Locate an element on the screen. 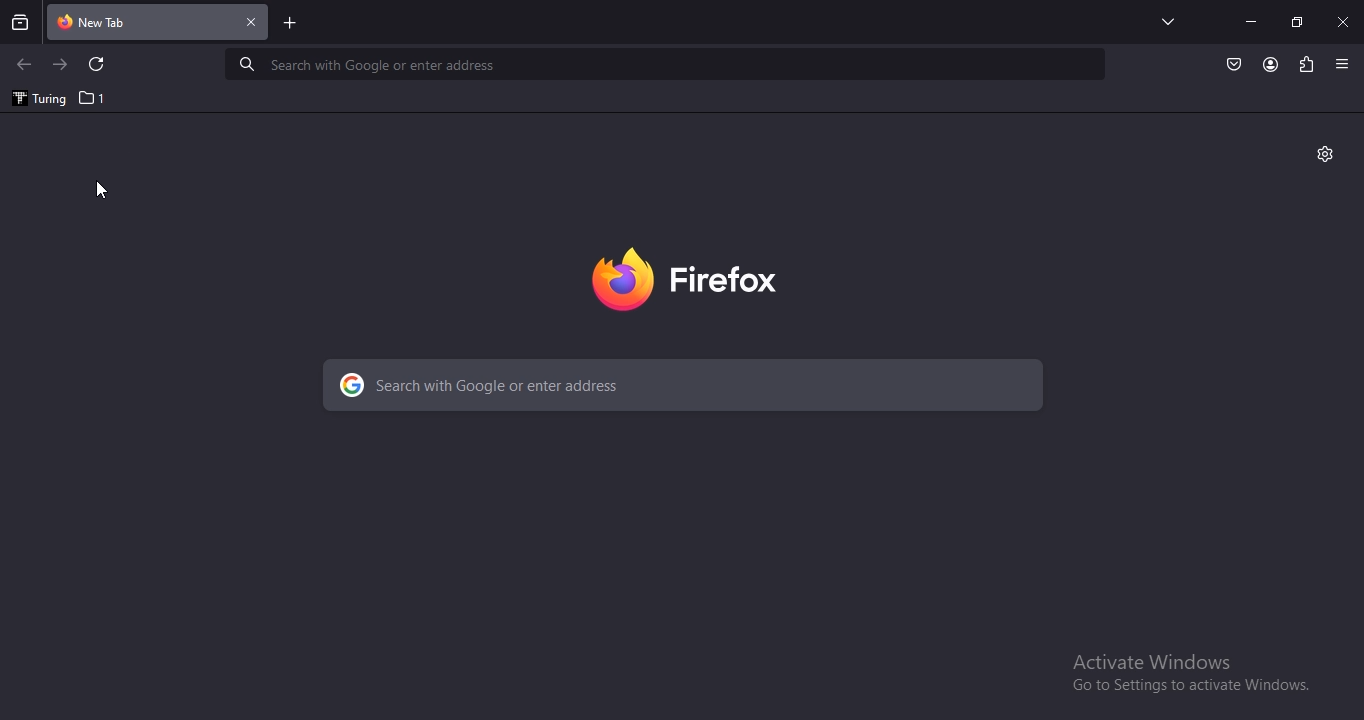  click to go to next page is located at coordinates (61, 64).